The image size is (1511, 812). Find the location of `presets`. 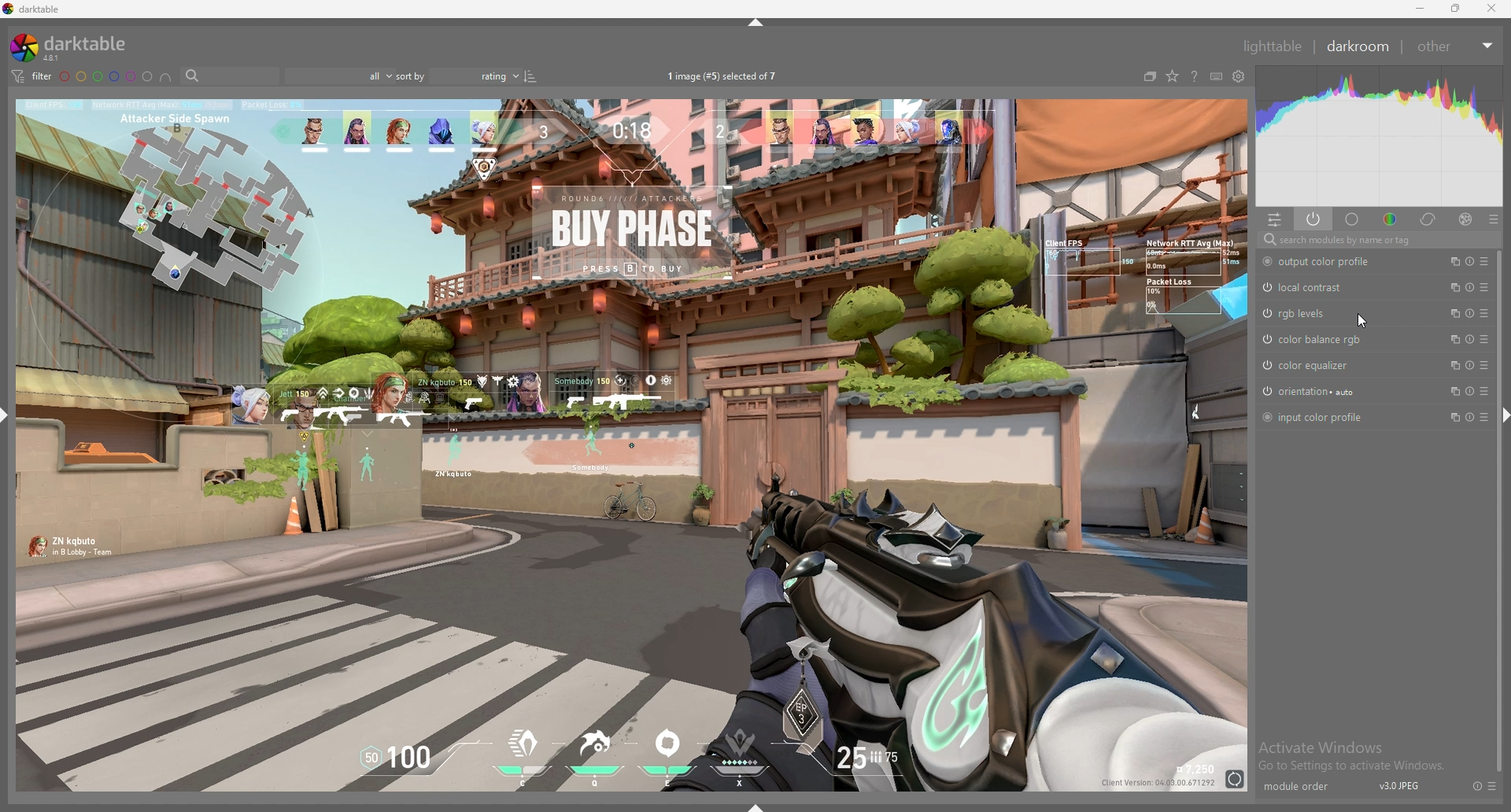

presets is located at coordinates (1485, 339).